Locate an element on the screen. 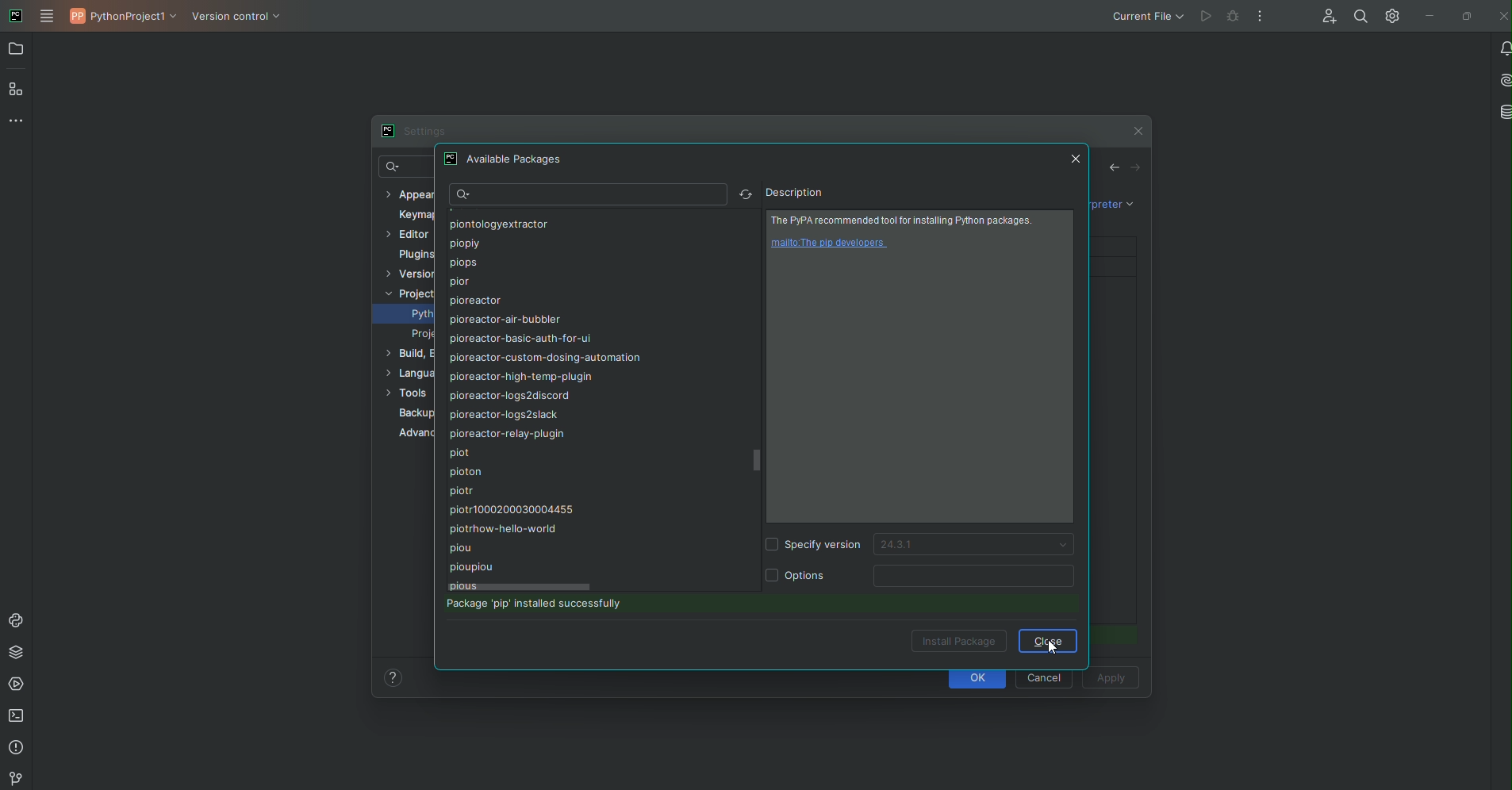 Image resolution: width=1512 pixels, height=790 pixels. piou is located at coordinates (465, 549).